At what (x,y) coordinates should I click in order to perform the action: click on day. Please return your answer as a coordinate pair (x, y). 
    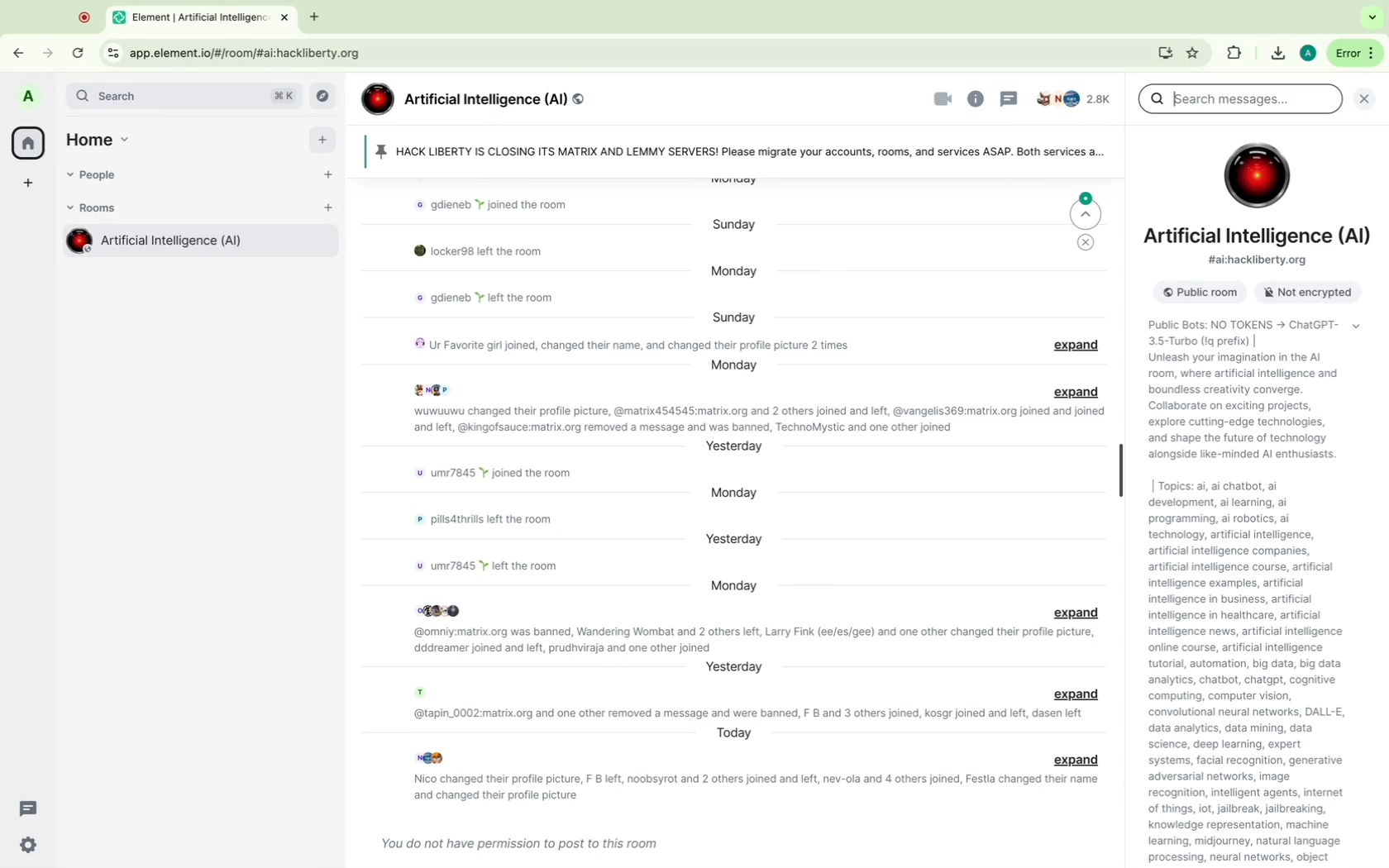
    Looking at the image, I should click on (735, 585).